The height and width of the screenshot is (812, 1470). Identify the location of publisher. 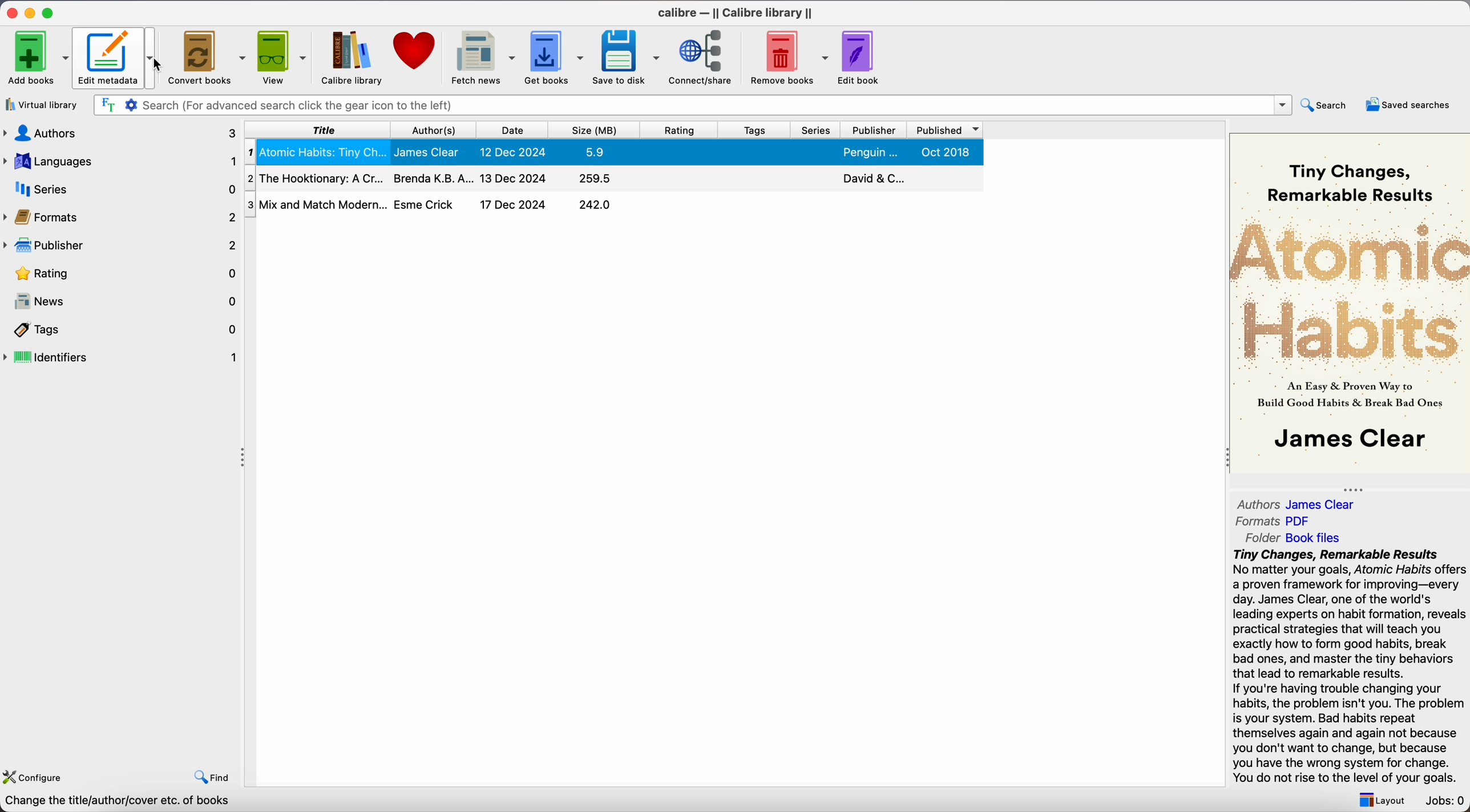
(873, 130).